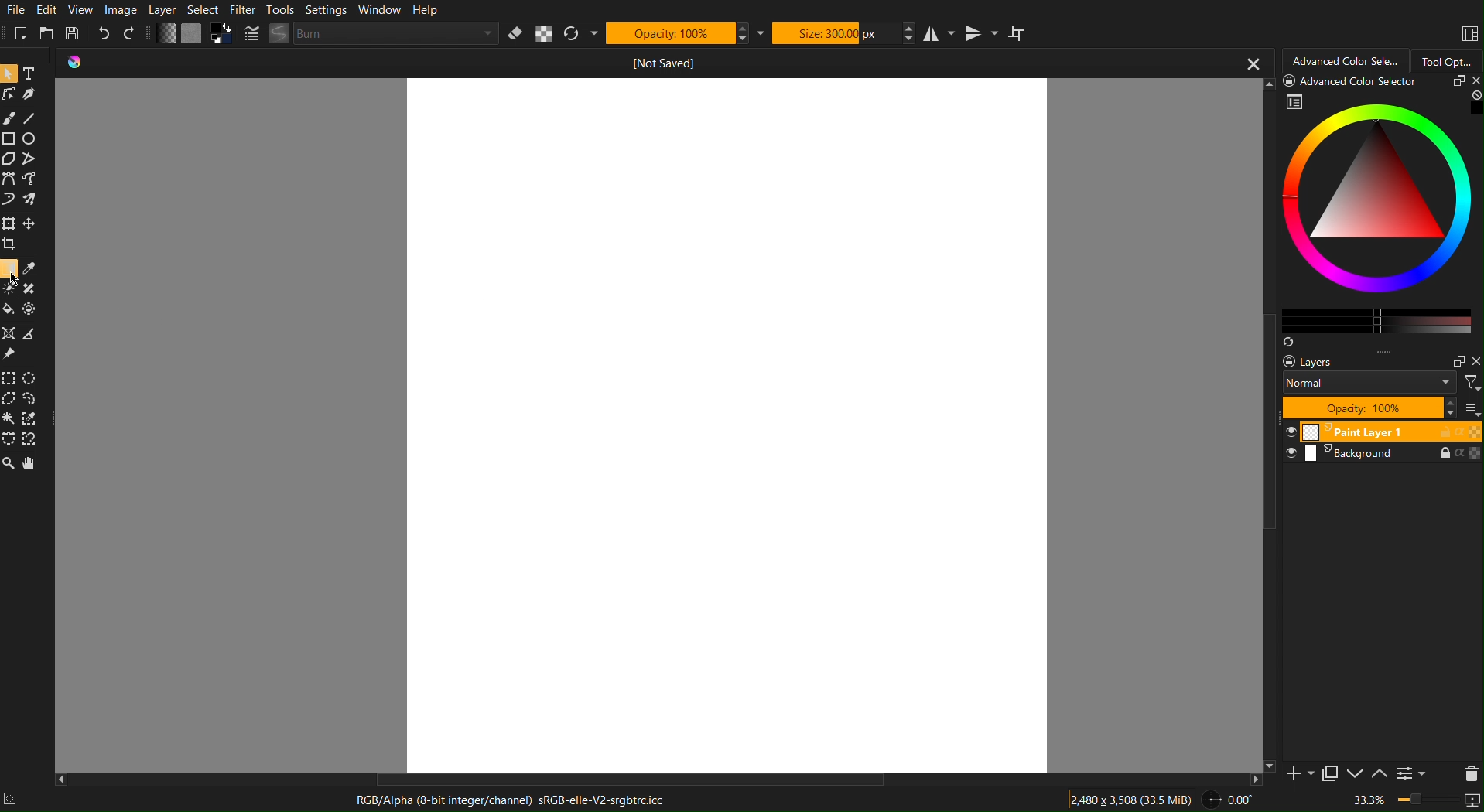  What do you see at coordinates (1418, 802) in the screenshot?
I see `Zoom` at bounding box center [1418, 802].